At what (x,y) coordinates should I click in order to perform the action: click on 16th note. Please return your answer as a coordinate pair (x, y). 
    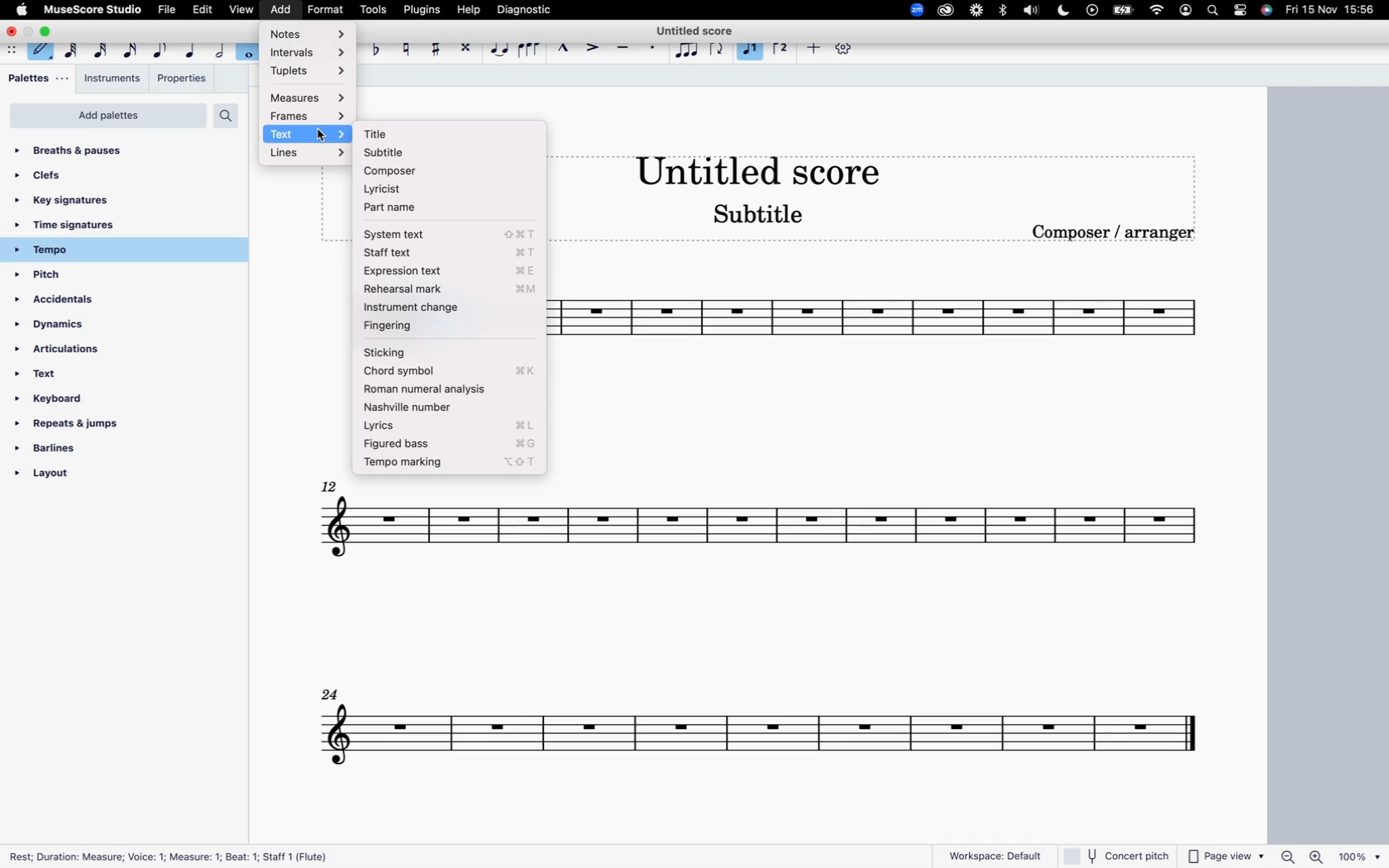
    Looking at the image, I should click on (129, 48).